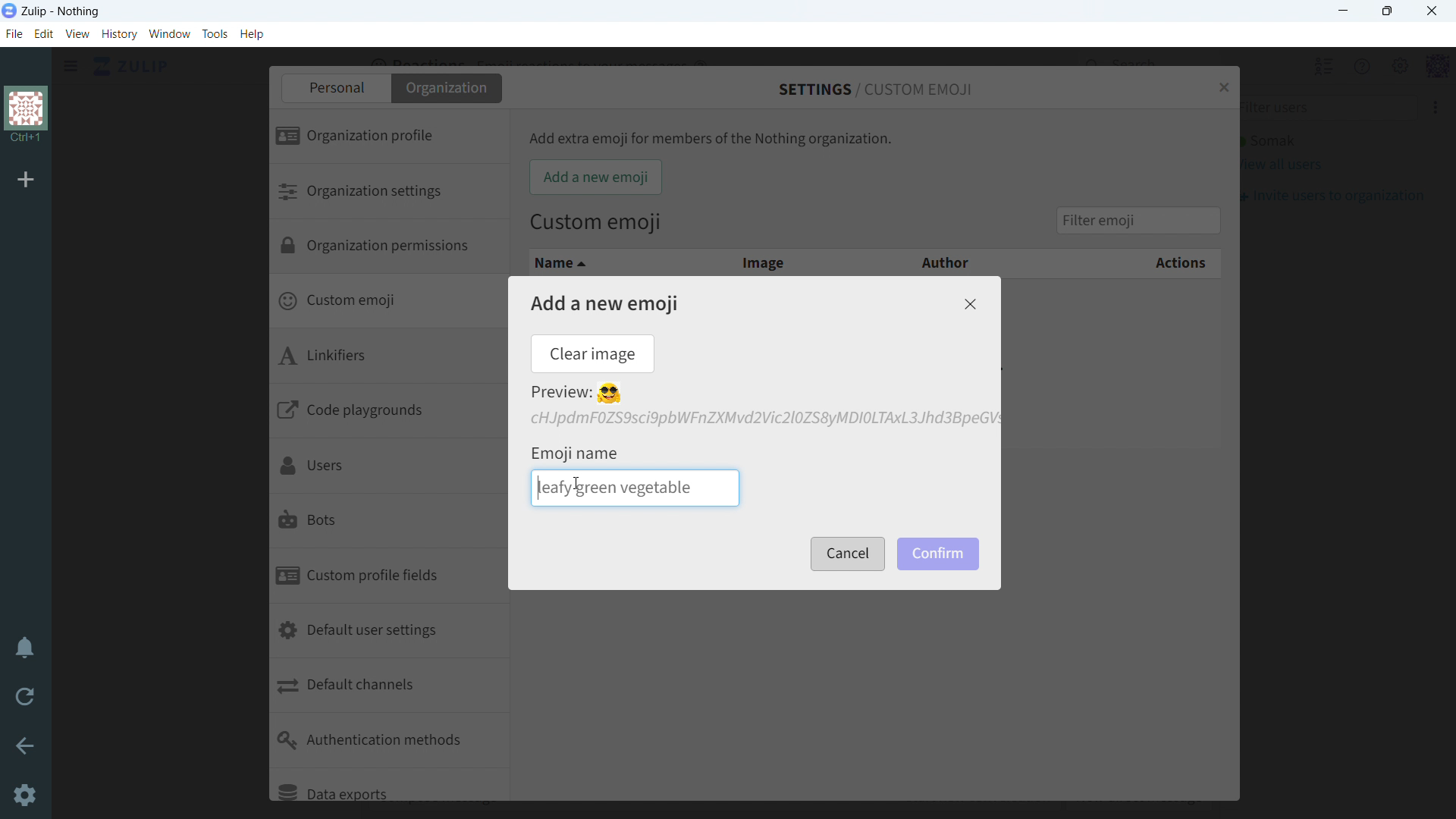 The width and height of the screenshot is (1456, 819). I want to click on custom emoji, so click(387, 303).